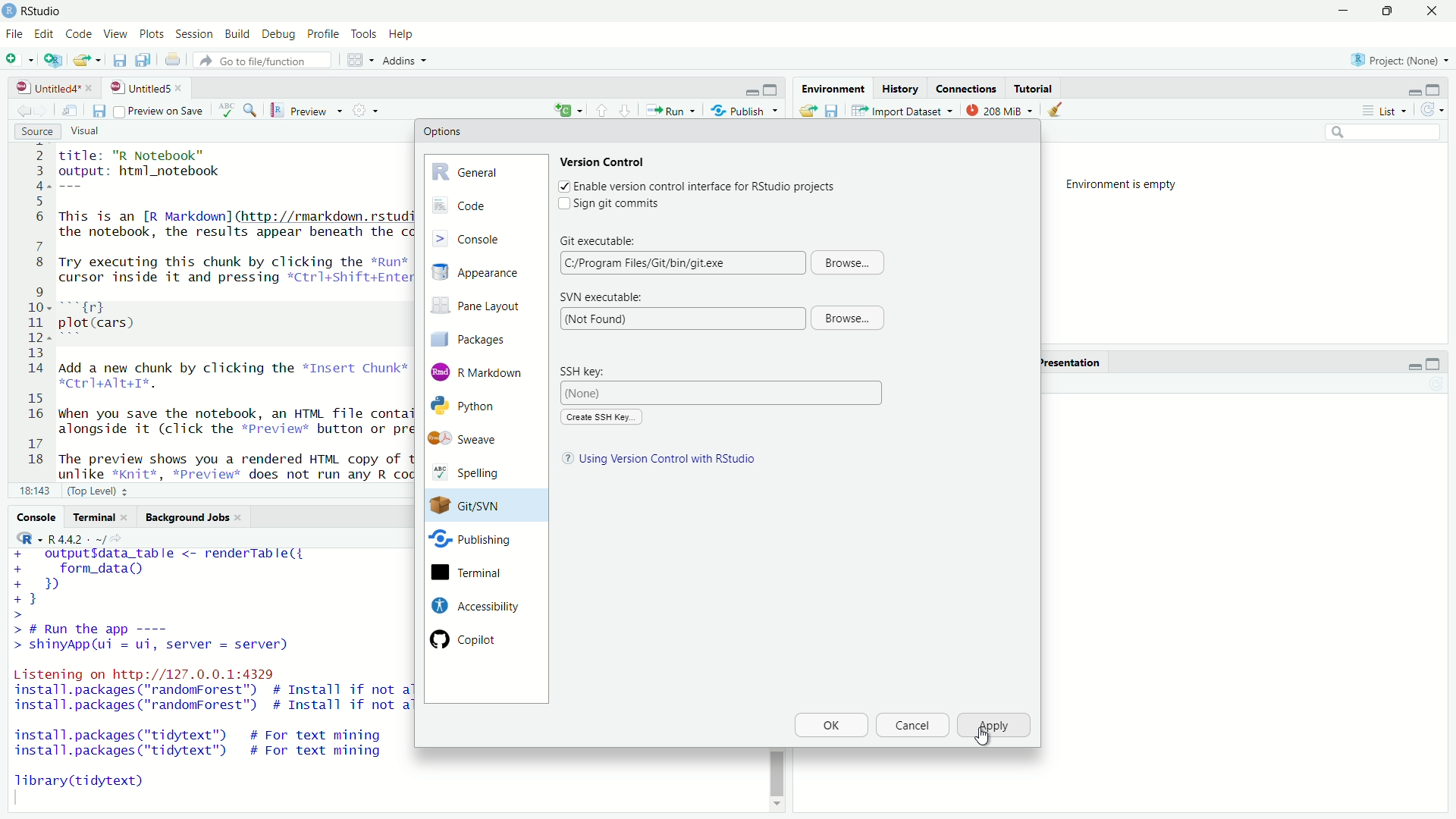  Describe the element at coordinates (77, 35) in the screenshot. I see `Code` at that location.